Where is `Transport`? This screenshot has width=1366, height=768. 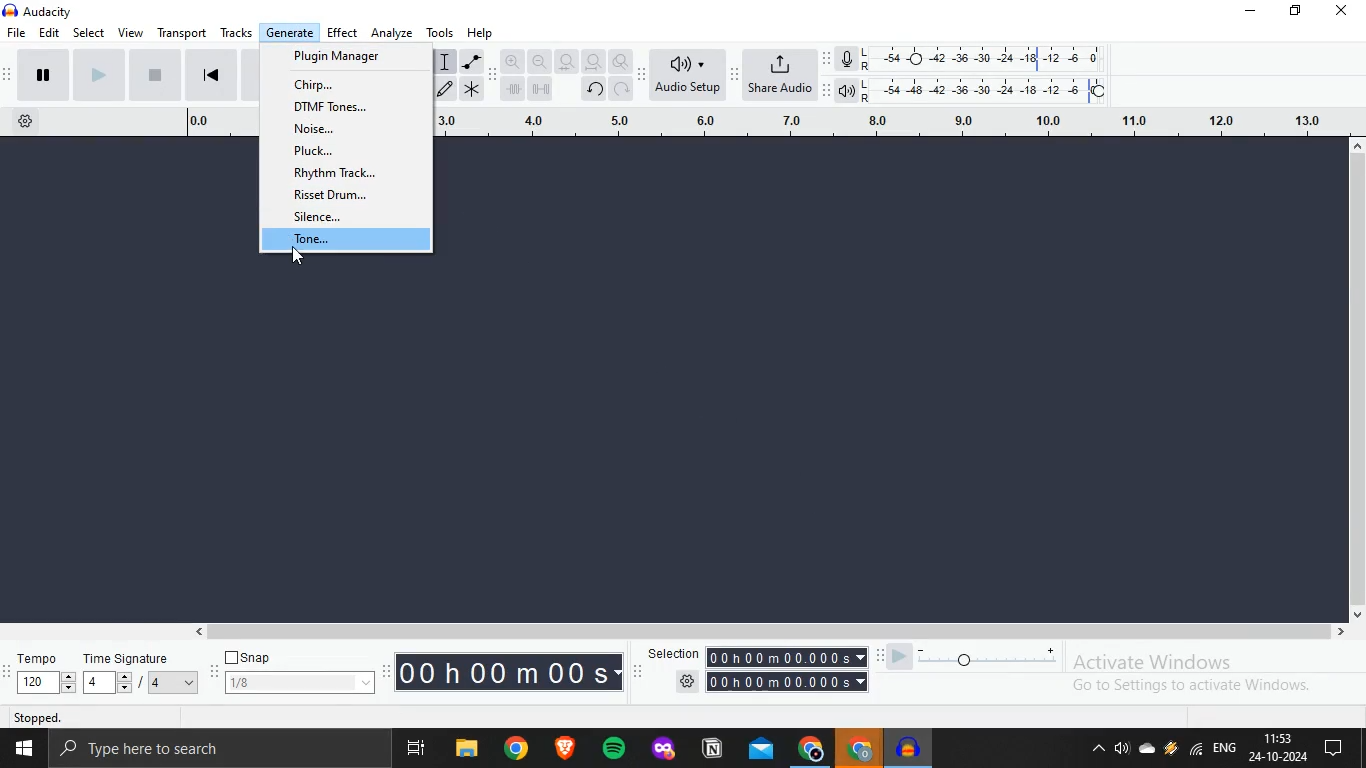 Transport is located at coordinates (181, 33).